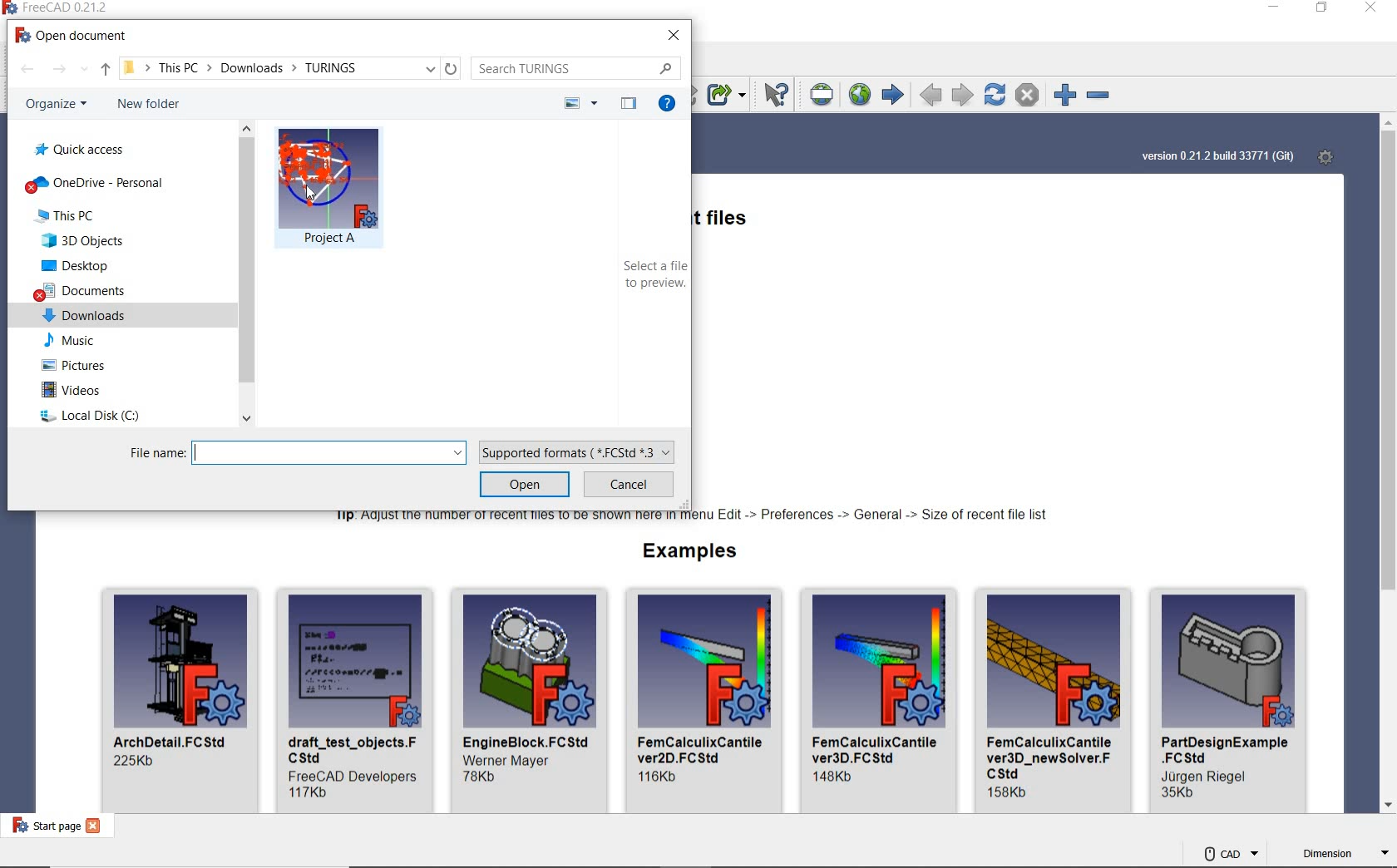 The image size is (1397, 868). I want to click on logo, so click(12, 7).